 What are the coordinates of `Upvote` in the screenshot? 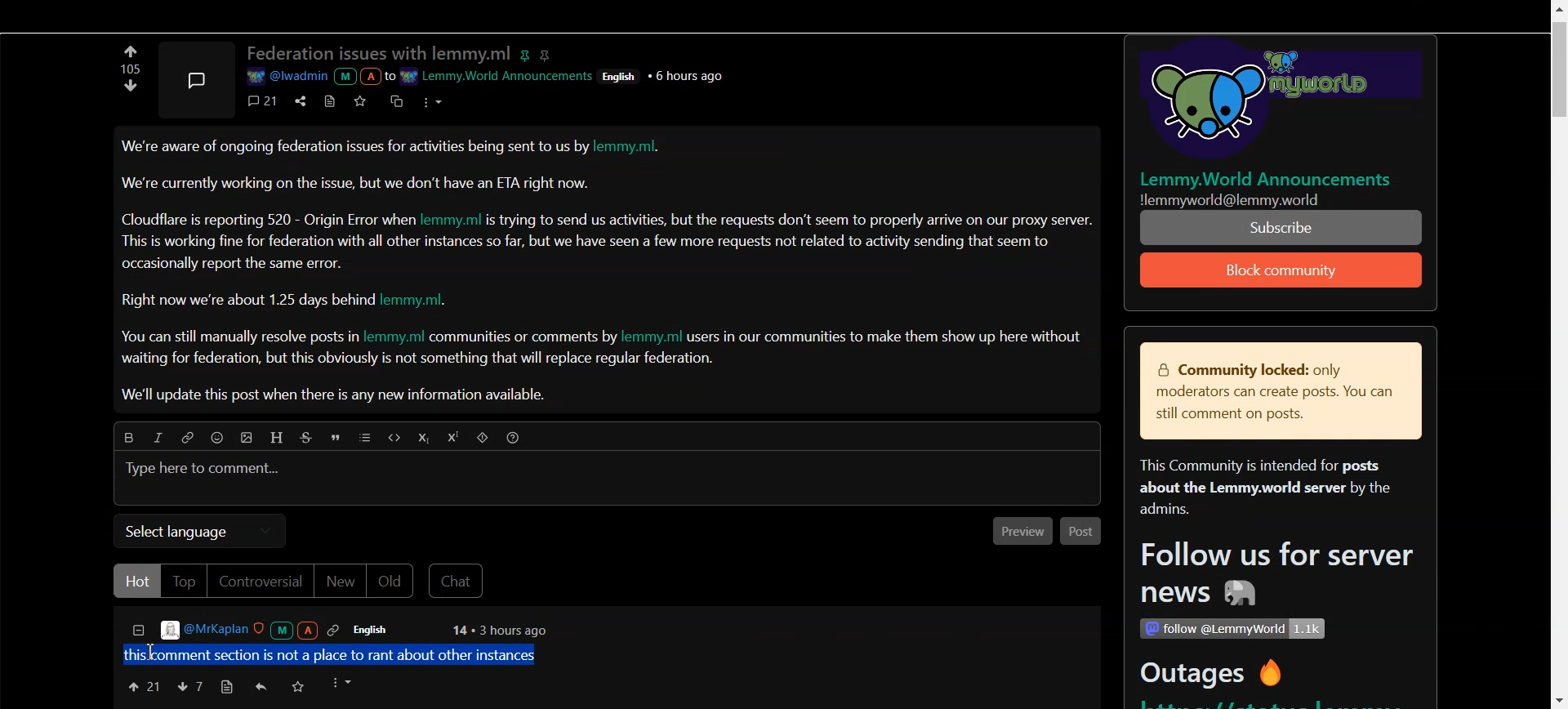 It's located at (131, 91).